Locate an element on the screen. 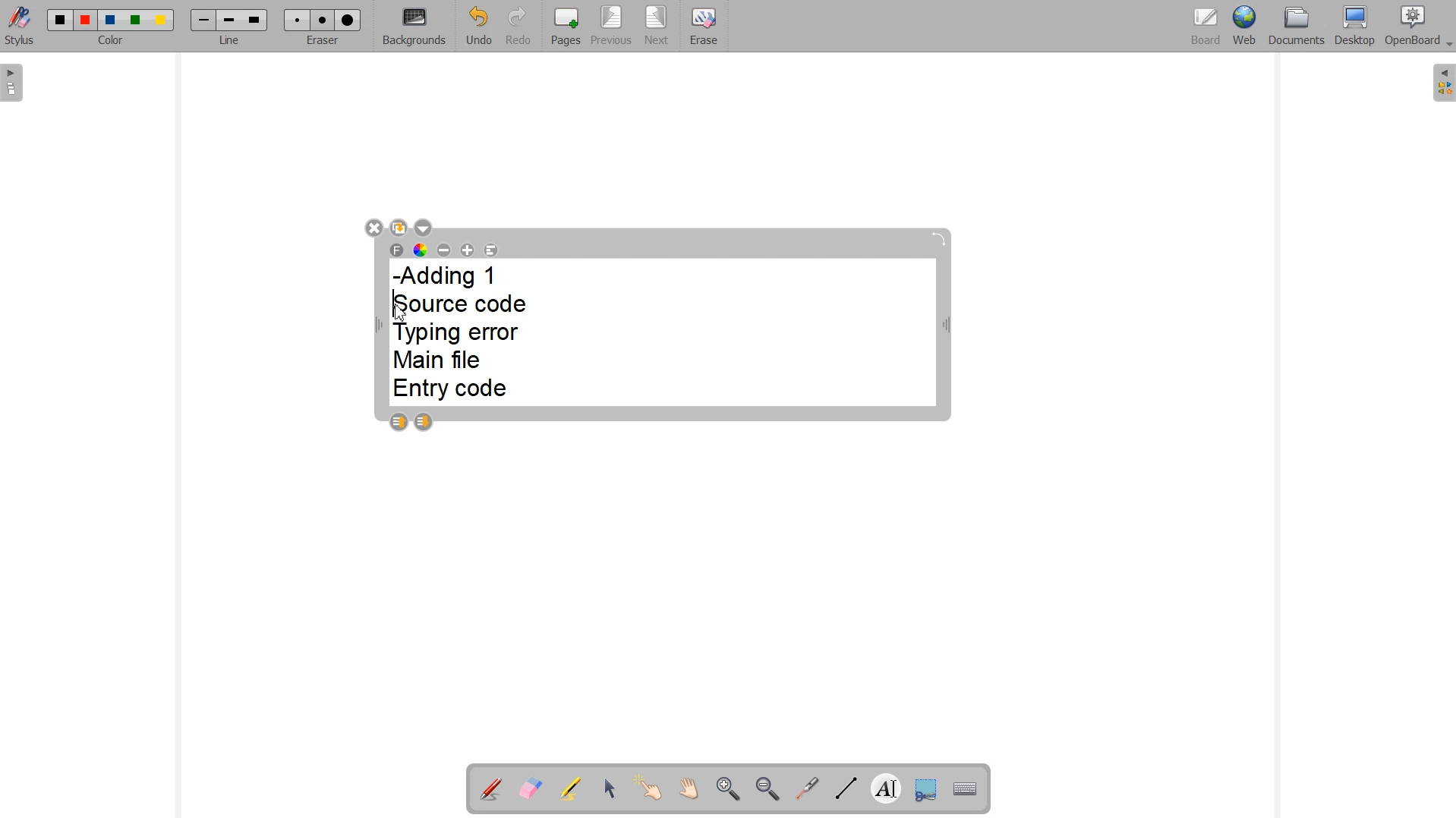 The image size is (1456, 818). Close is located at coordinates (373, 227).